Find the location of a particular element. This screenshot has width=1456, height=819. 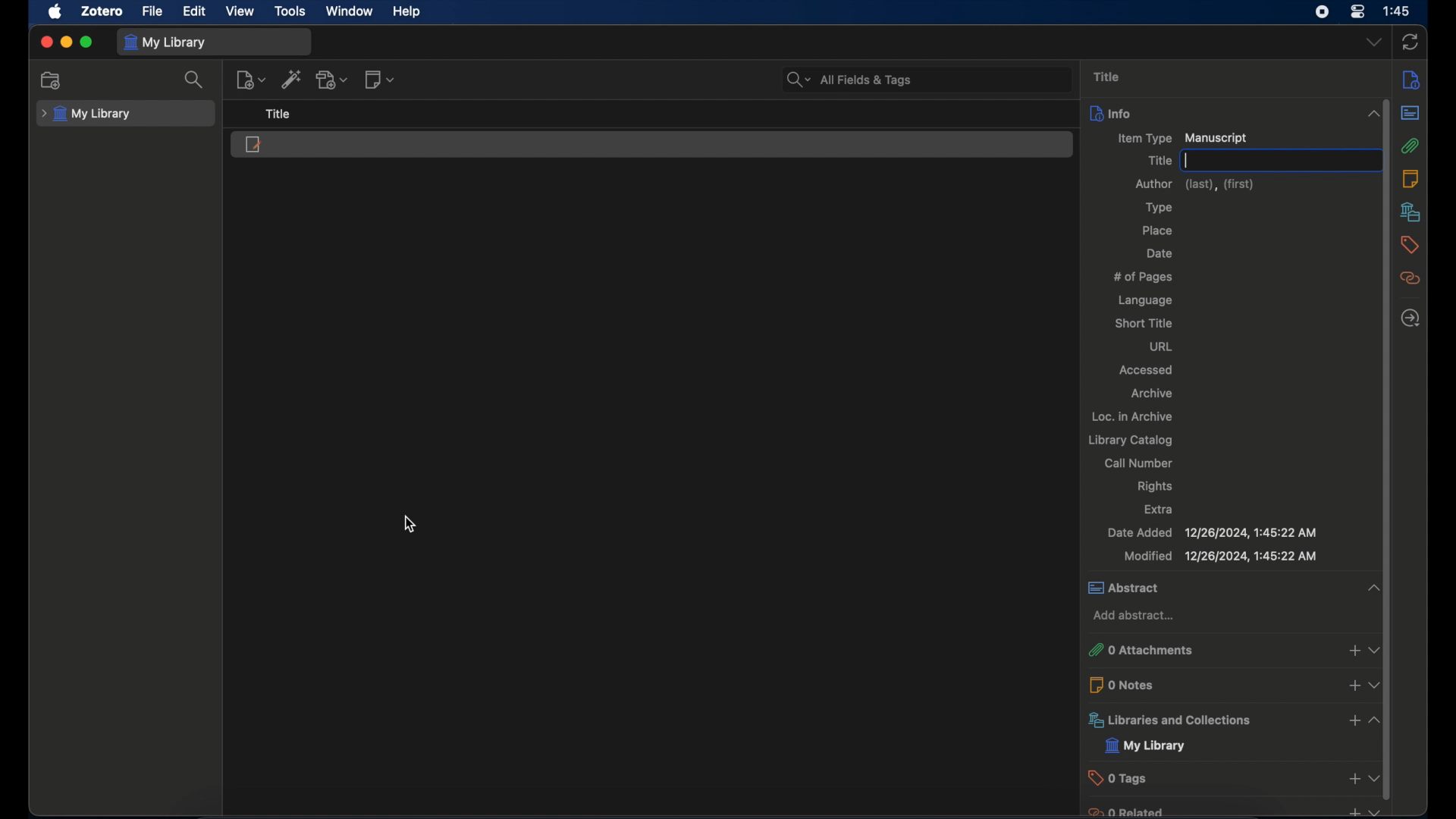

my library is located at coordinates (165, 42).